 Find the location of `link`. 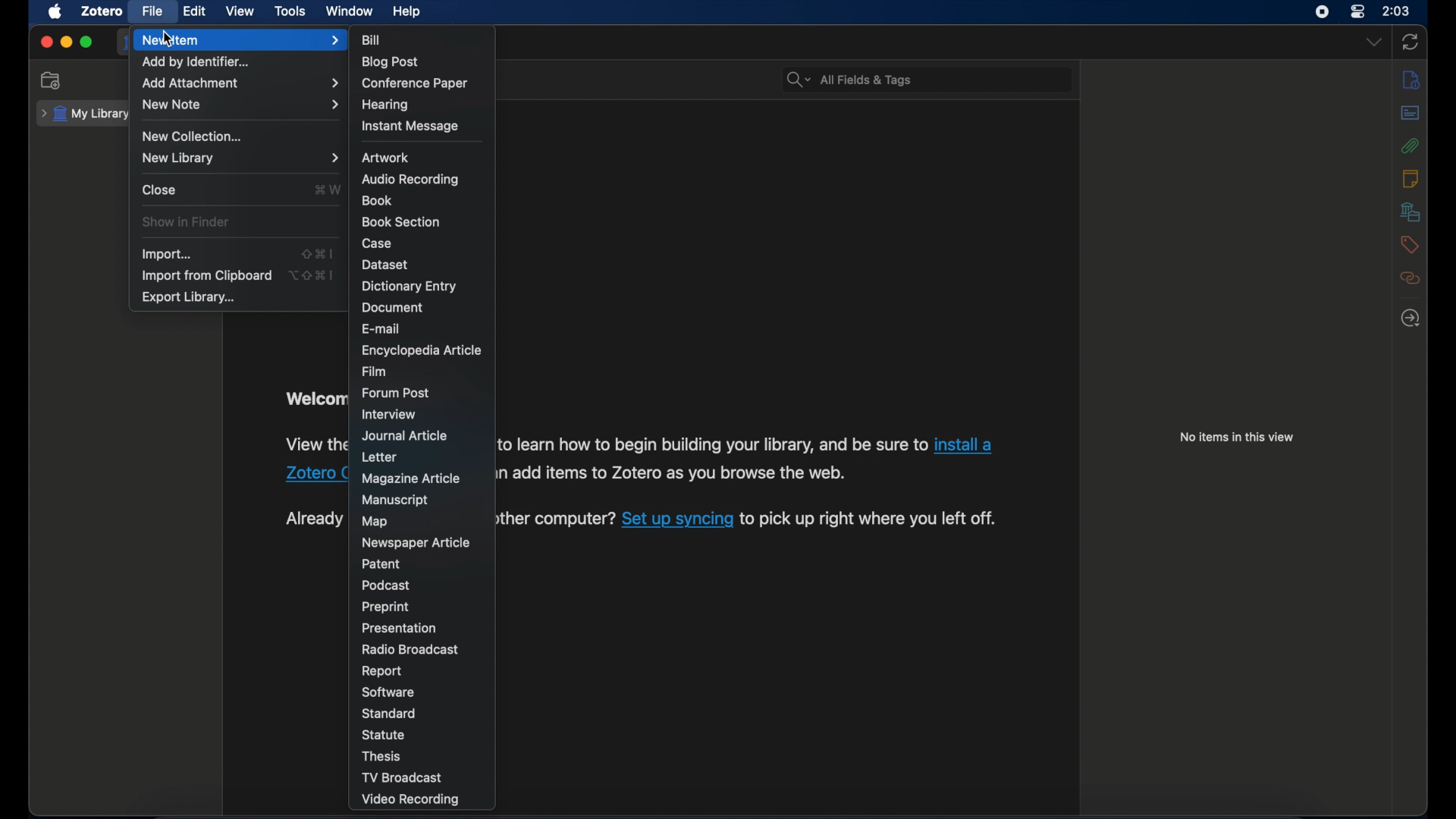

link is located at coordinates (676, 521).